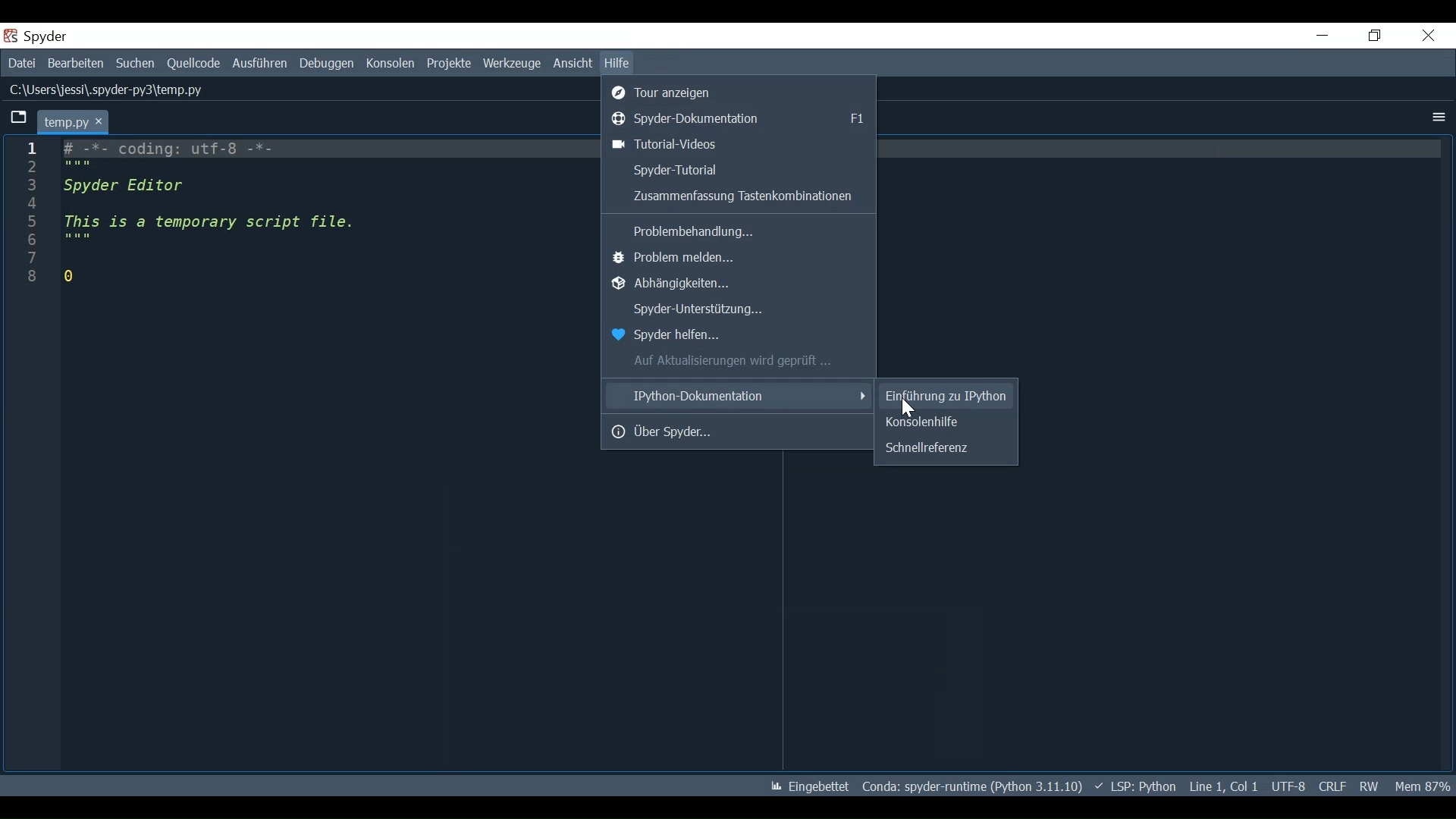 The height and width of the screenshot is (819, 1456). What do you see at coordinates (12, 36) in the screenshot?
I see `Spyder Desktop Icon` at bounding box center [12, 36].